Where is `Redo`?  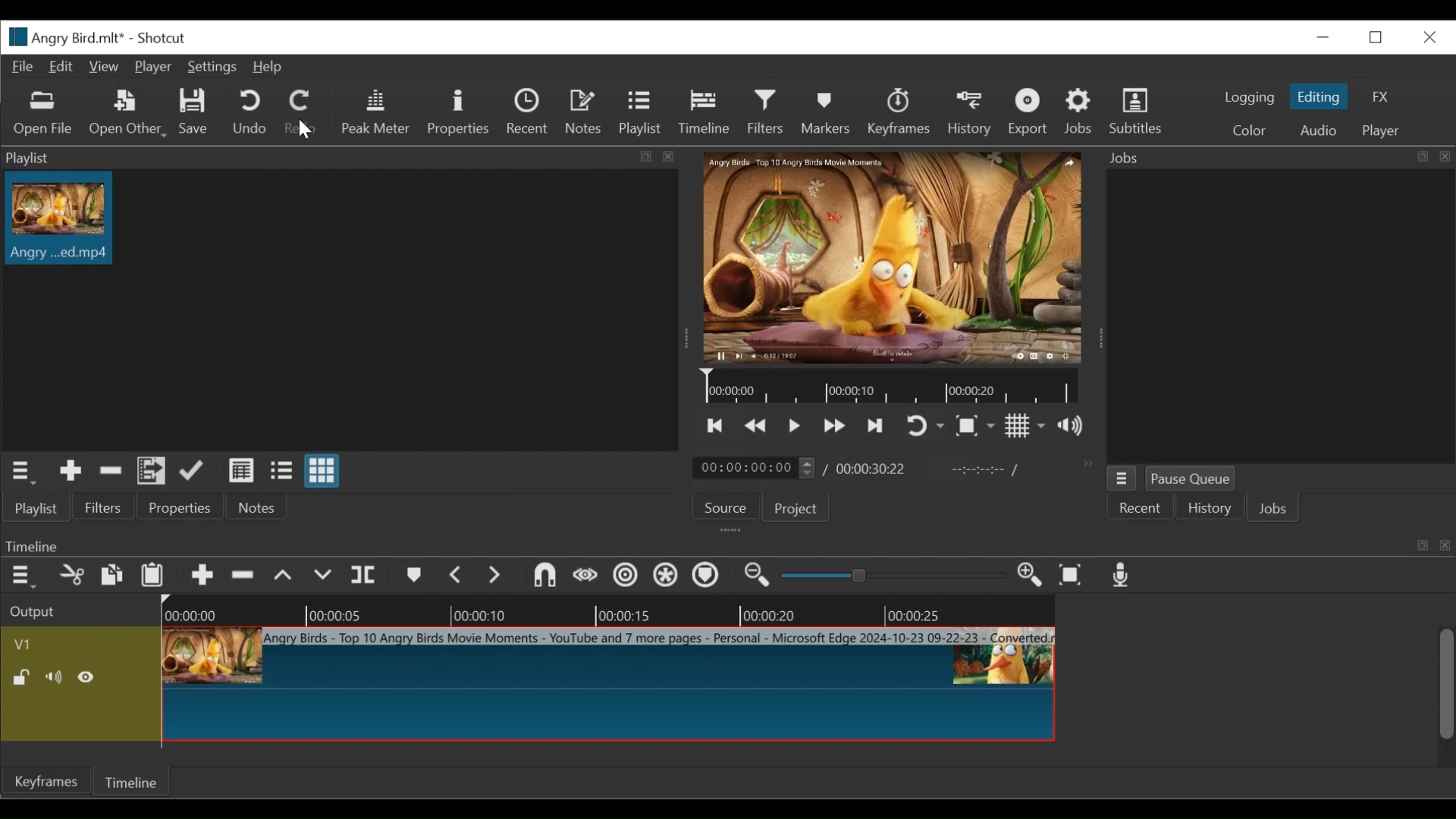
Redo is located at coordinates (299, 111).